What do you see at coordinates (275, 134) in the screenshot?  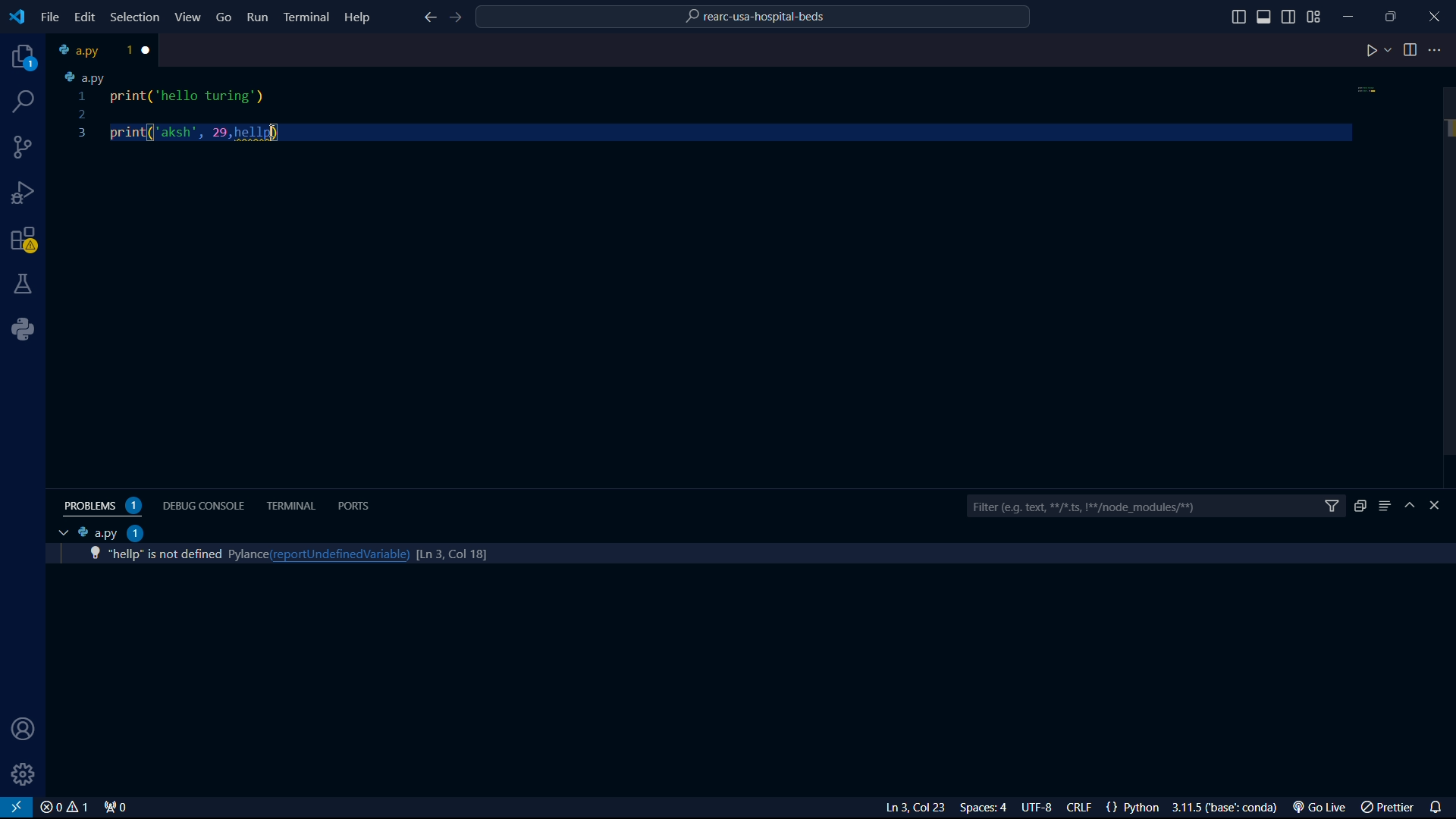 I see `cursor` at bounding box center [275, 134].